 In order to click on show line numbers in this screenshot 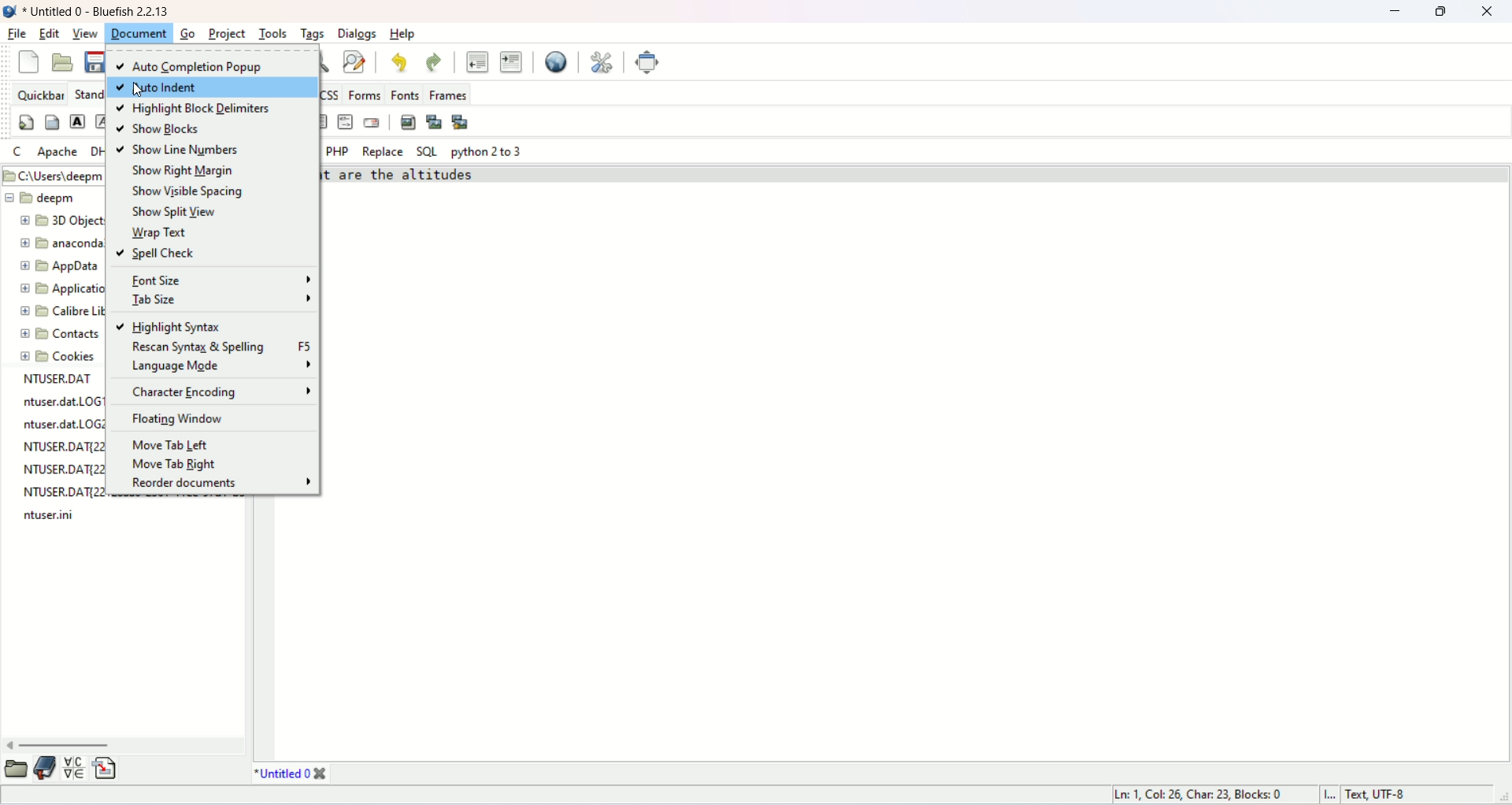, I will do `click(178, 150)`.